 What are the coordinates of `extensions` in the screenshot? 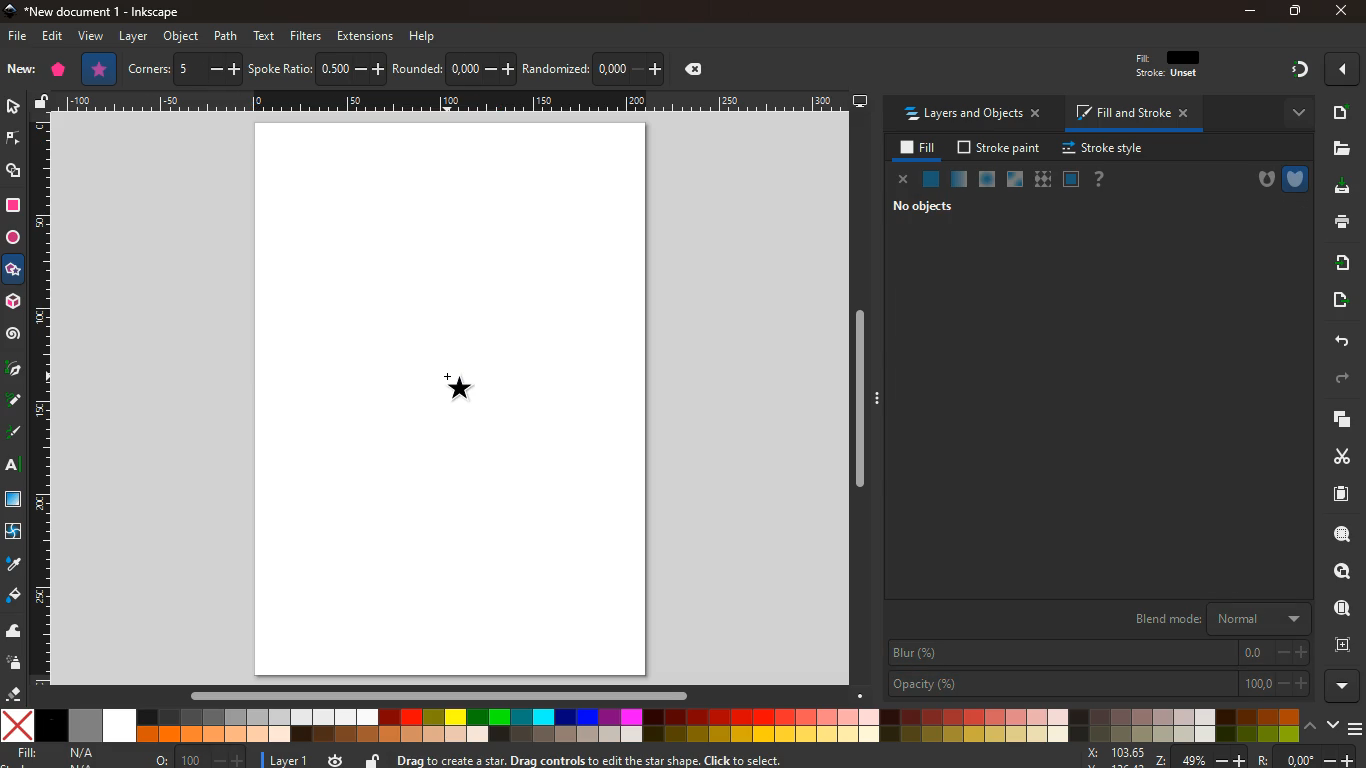 It's located at (365, 35).